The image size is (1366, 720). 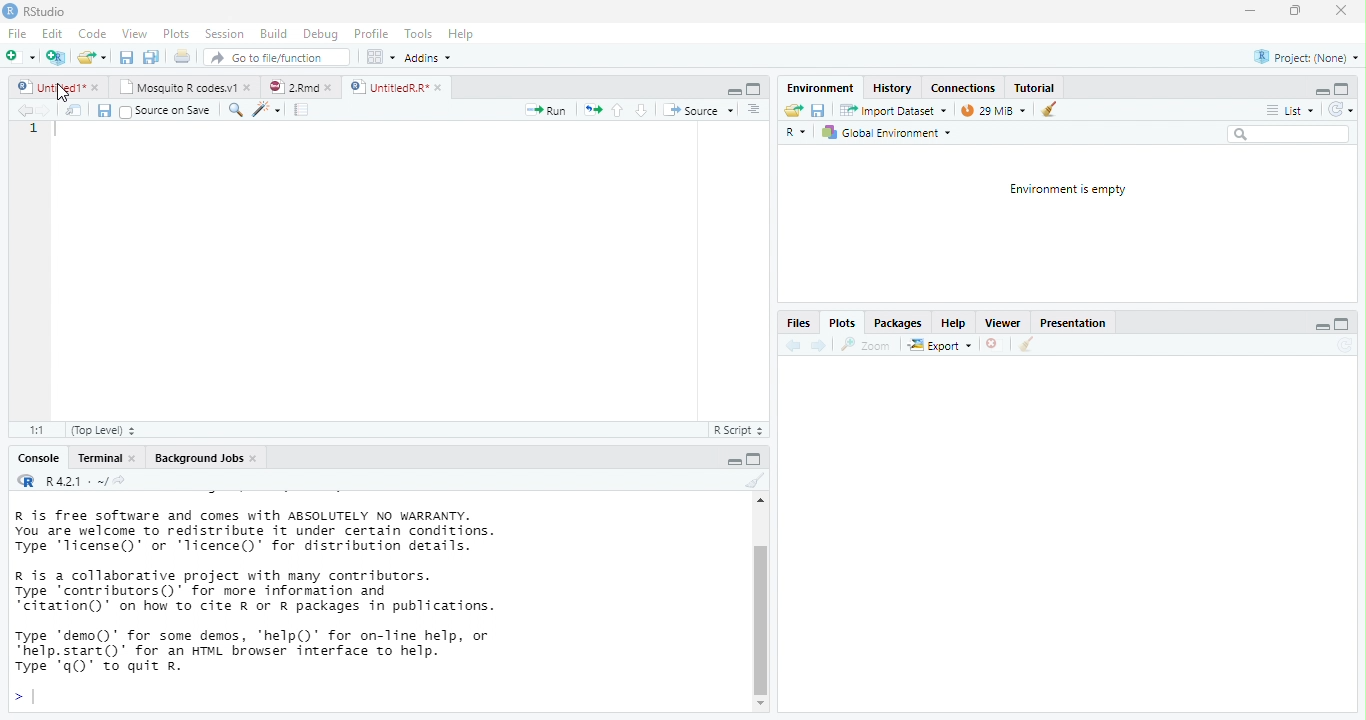 I want to click on Plots, so click(x=177, y=34).